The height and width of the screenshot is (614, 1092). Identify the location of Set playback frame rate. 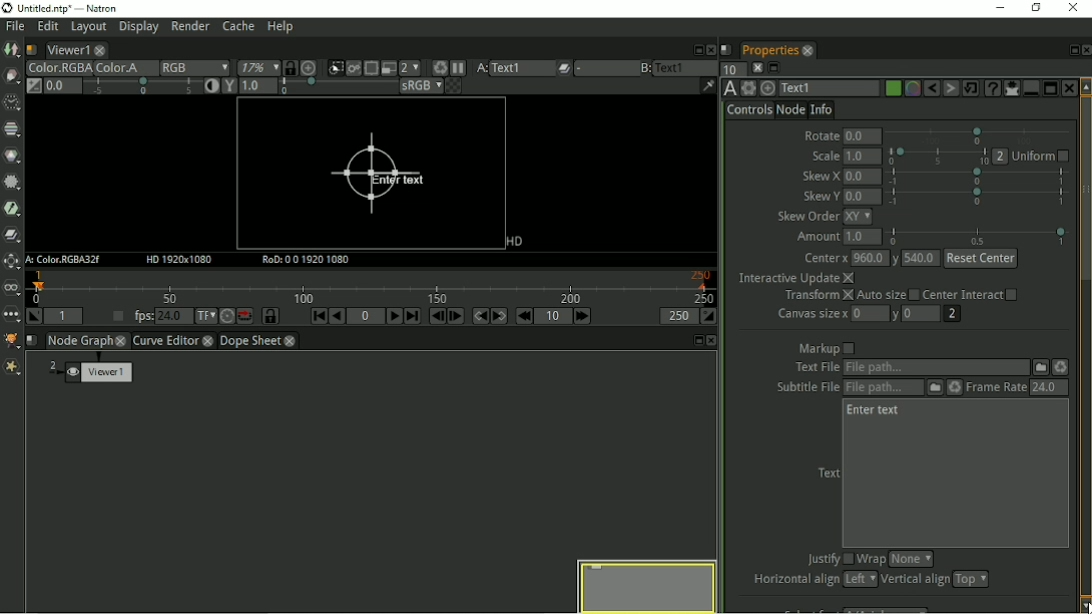
(115, 317).